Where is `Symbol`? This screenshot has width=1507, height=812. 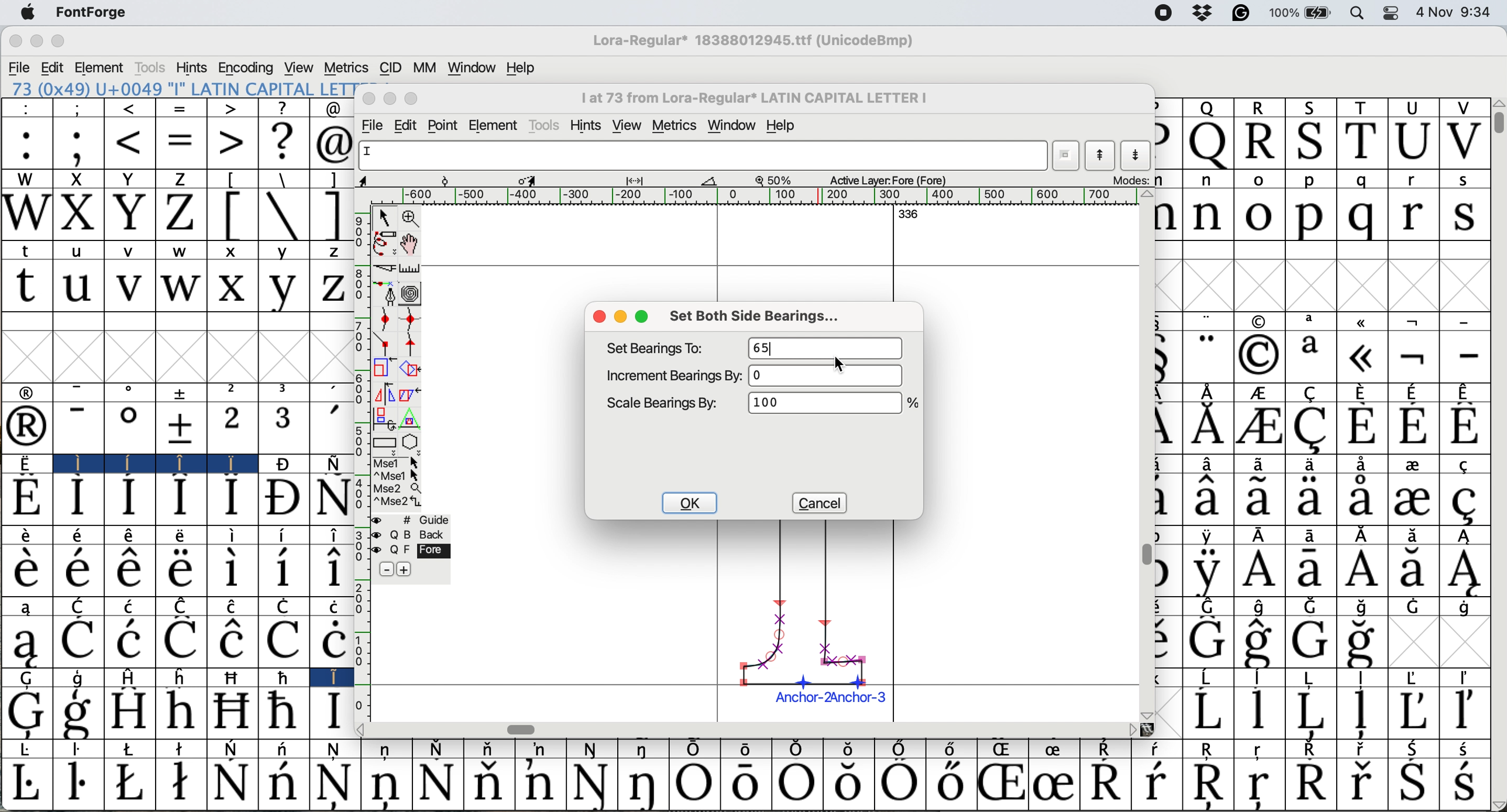
Symbol is located at coordinates (78, 642).